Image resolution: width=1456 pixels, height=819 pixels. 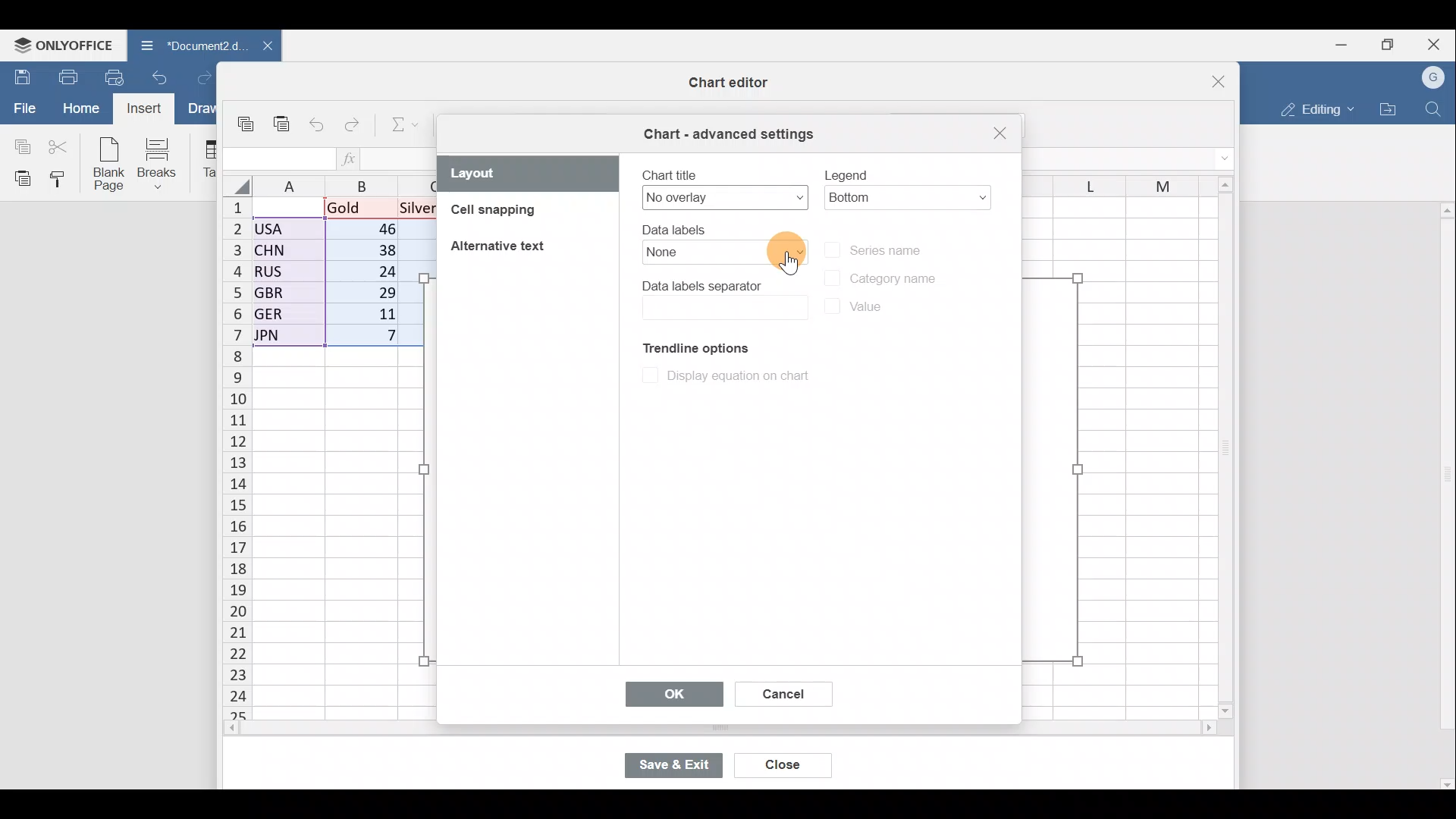 What do you see at coordinates (1388, 109) in the screenshot?
I see `Open file location` at bounding box center [1388, 109].